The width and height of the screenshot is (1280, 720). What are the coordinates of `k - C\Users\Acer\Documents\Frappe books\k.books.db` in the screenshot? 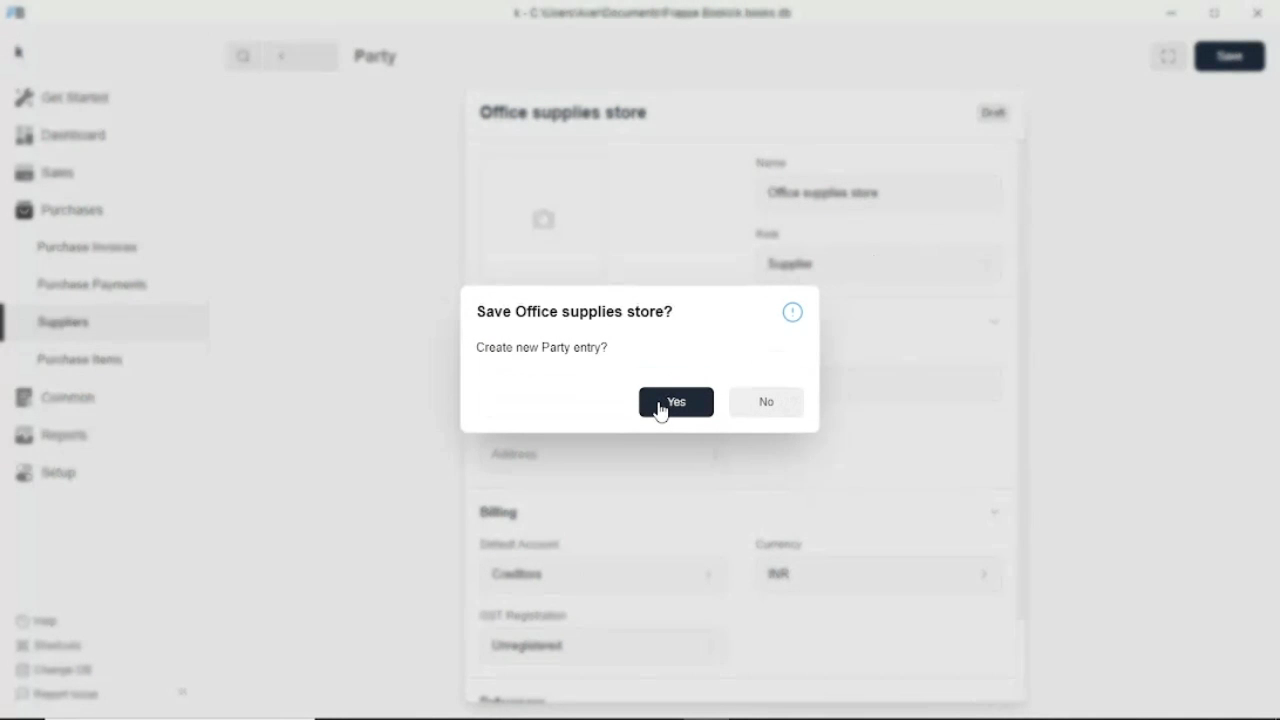 It's located at (654, 12).